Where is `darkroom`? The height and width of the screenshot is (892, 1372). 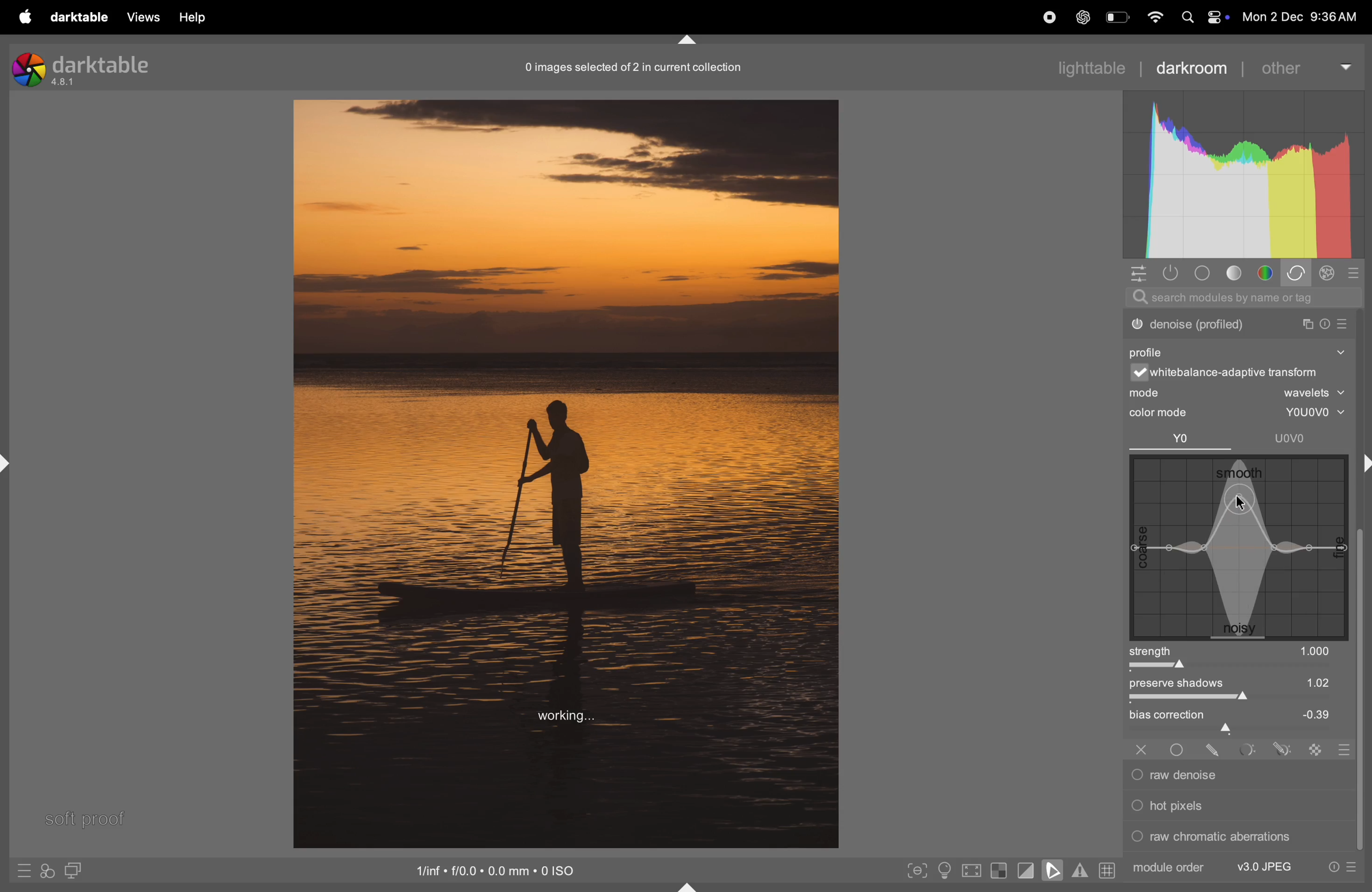 darkroom is located at coordinates (1199, 66).